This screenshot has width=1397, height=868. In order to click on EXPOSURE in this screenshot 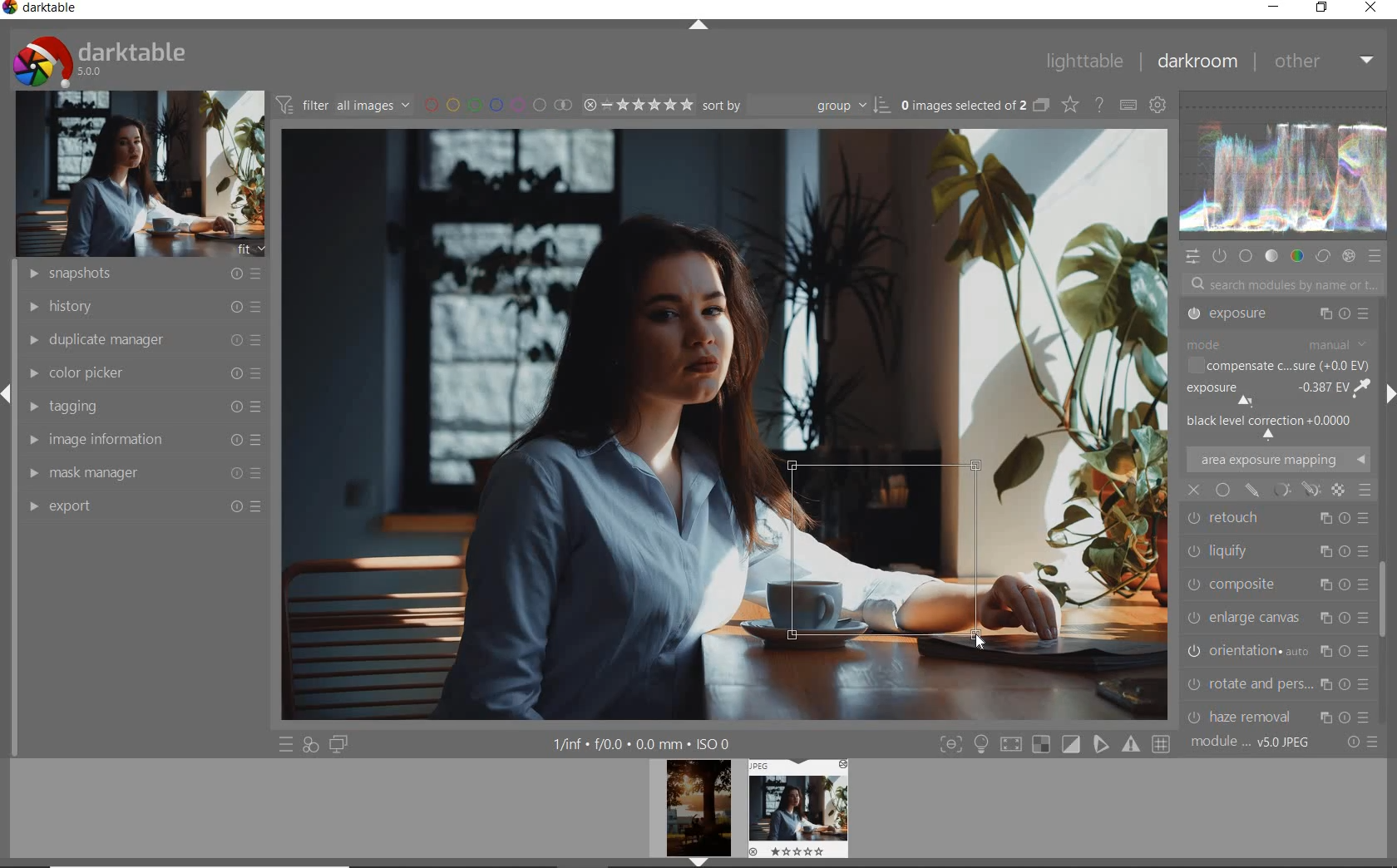, I will do `click(1276, 385)`.